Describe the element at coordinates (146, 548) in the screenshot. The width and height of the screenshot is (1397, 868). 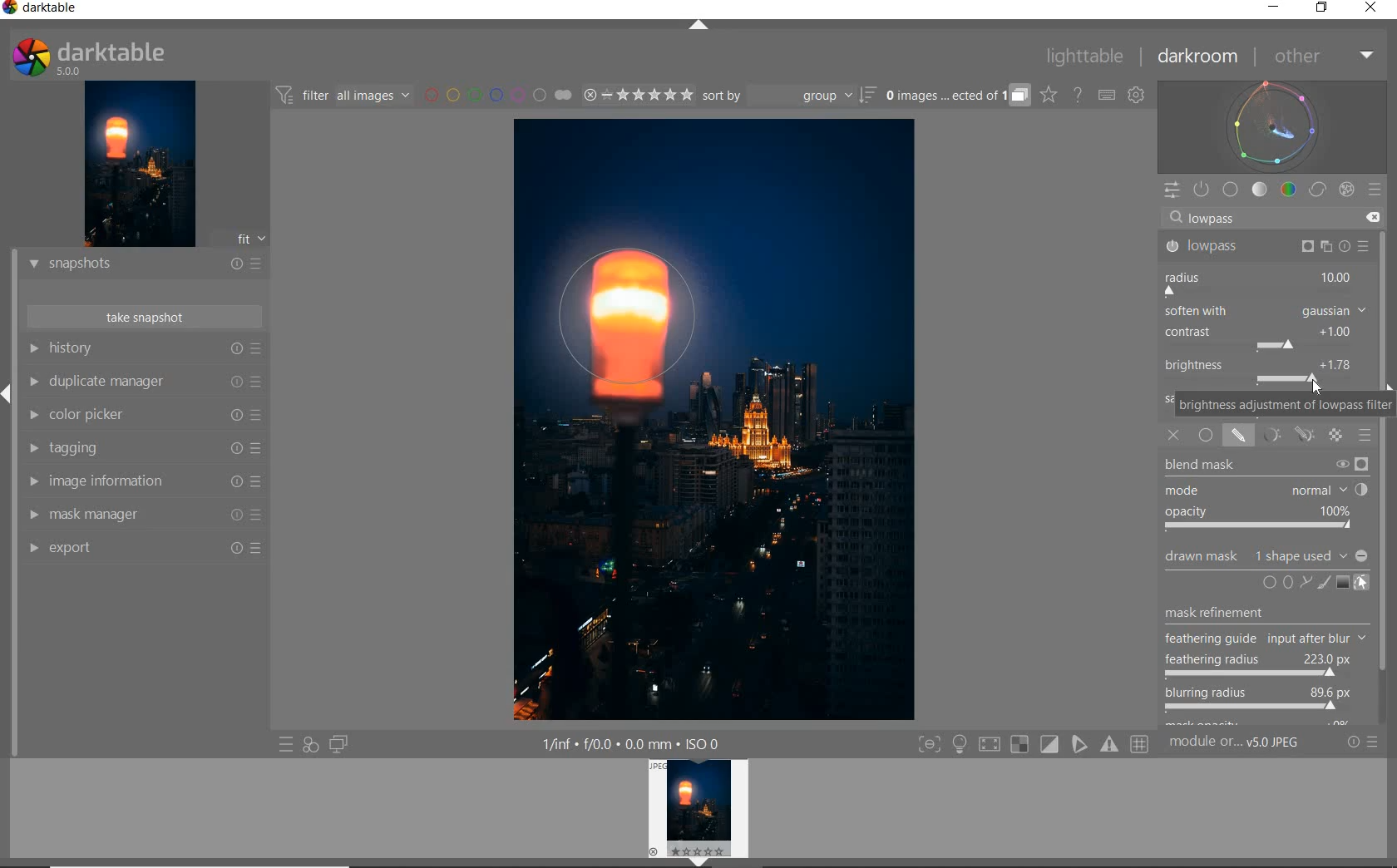
I see `EXPORT` at that location.